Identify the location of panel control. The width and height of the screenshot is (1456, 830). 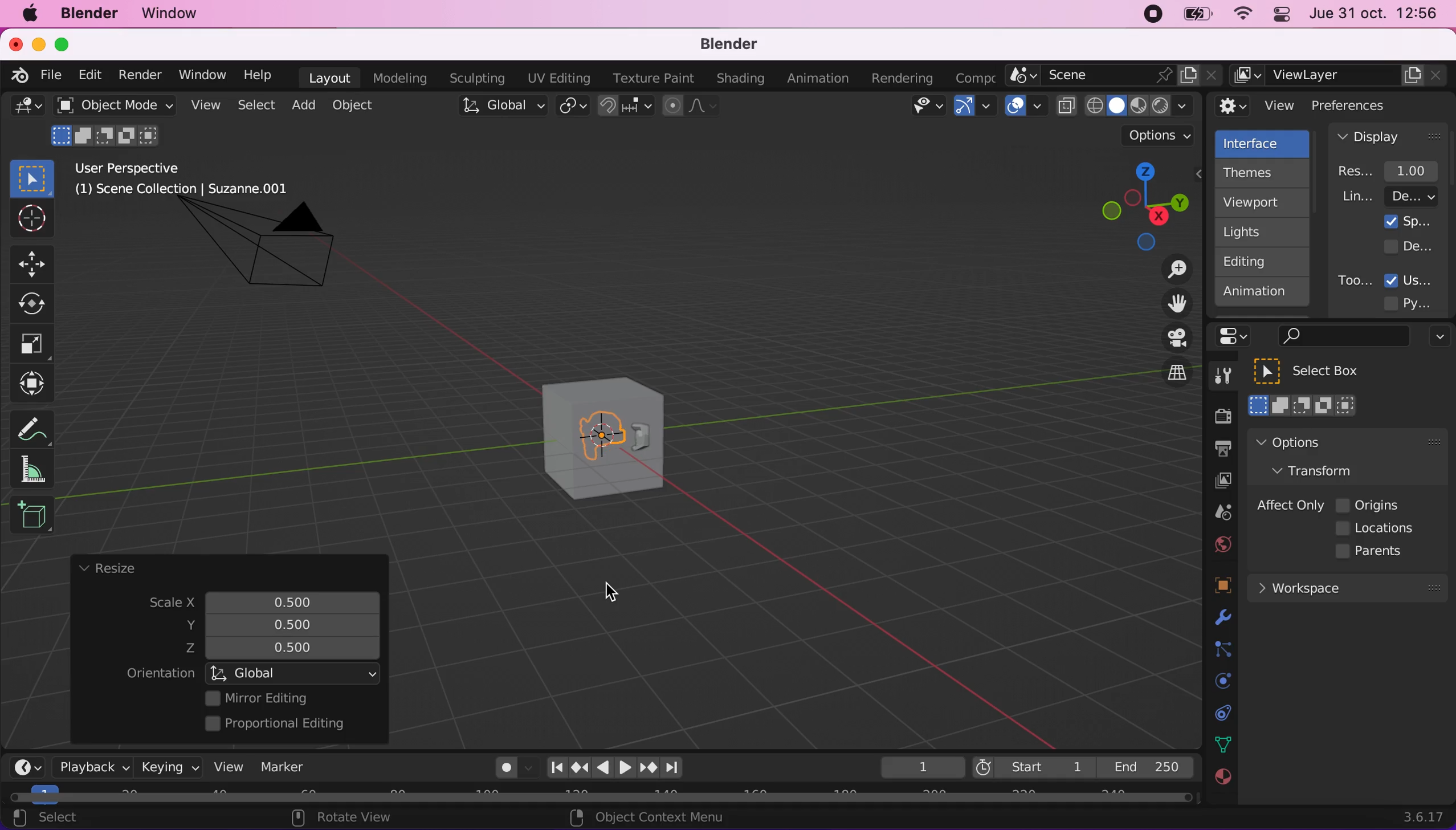
(1237, 336).